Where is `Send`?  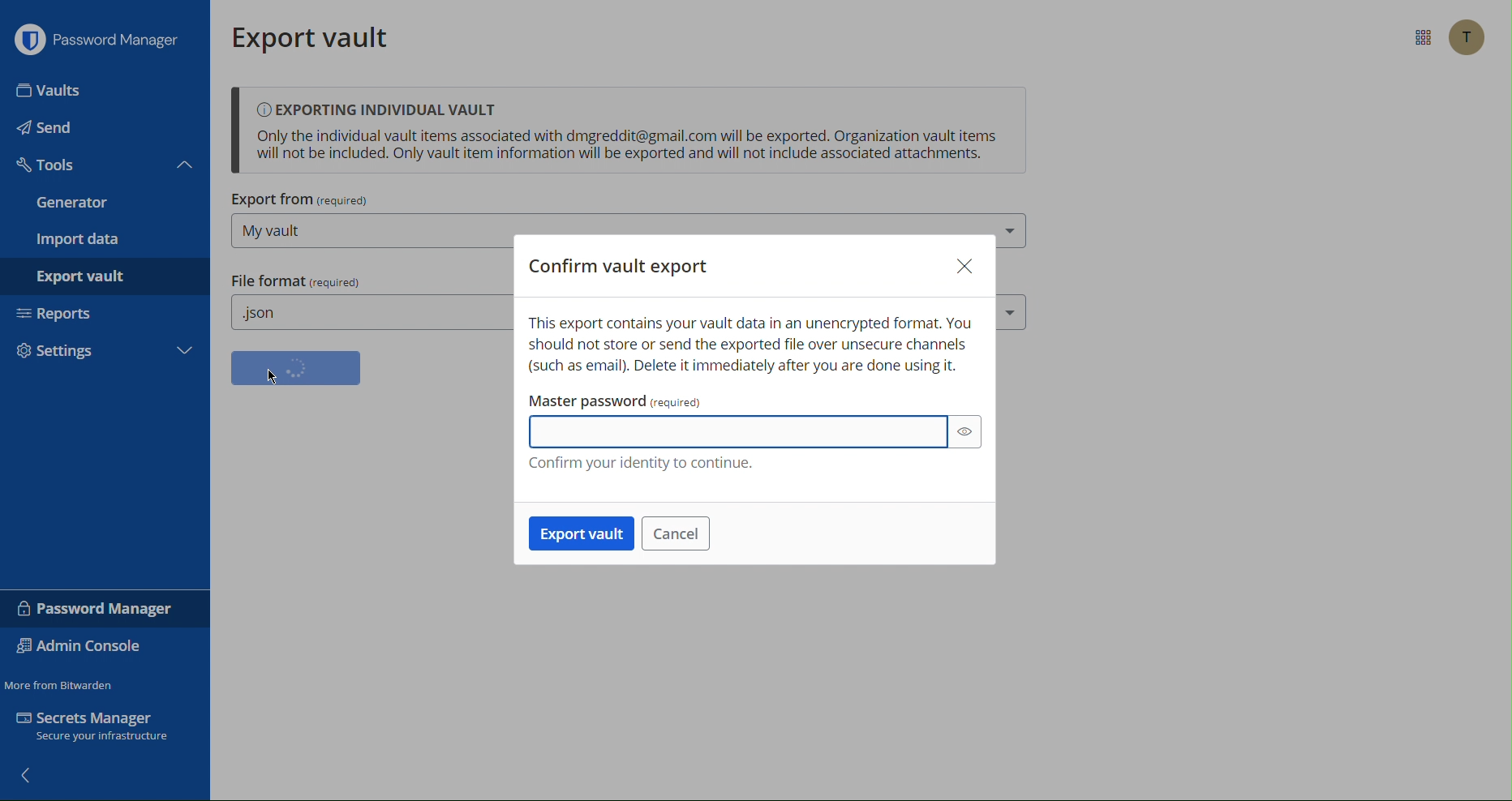
Send is located at coordinates (49, 131).